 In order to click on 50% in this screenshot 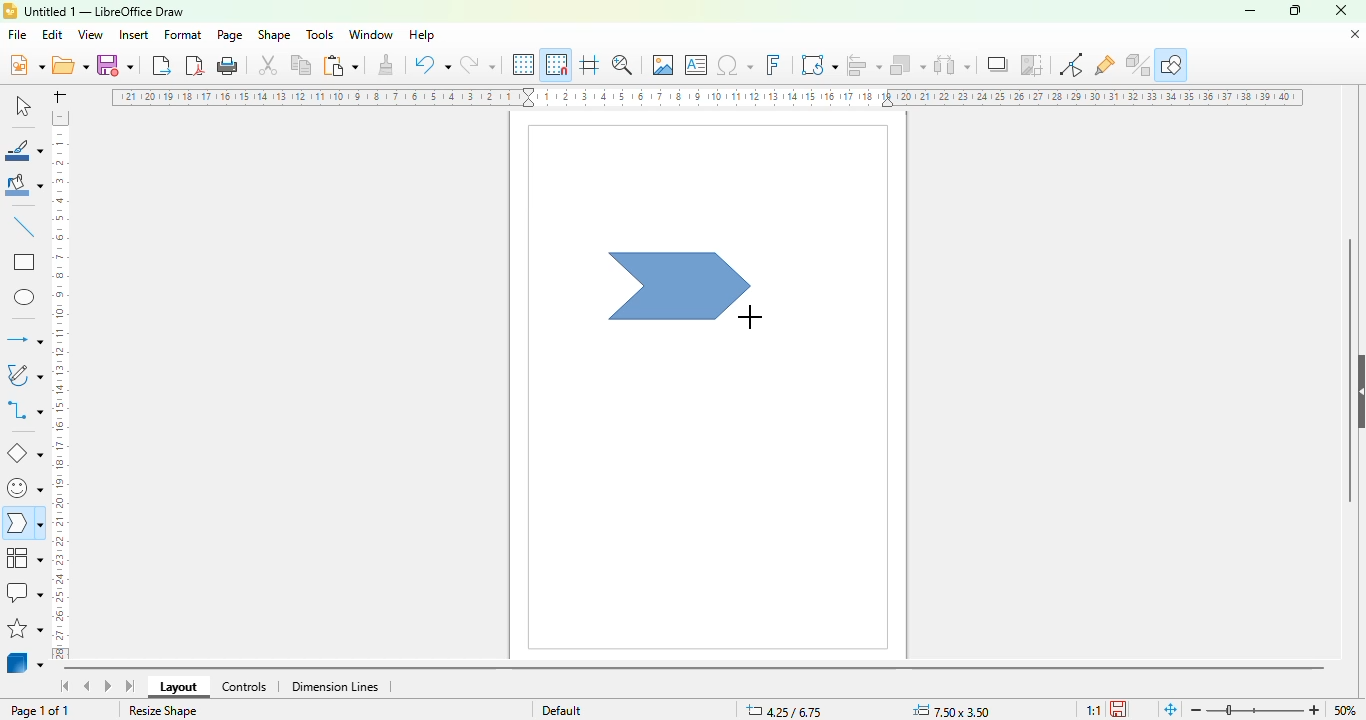, I will do `click(1345, 710)`.